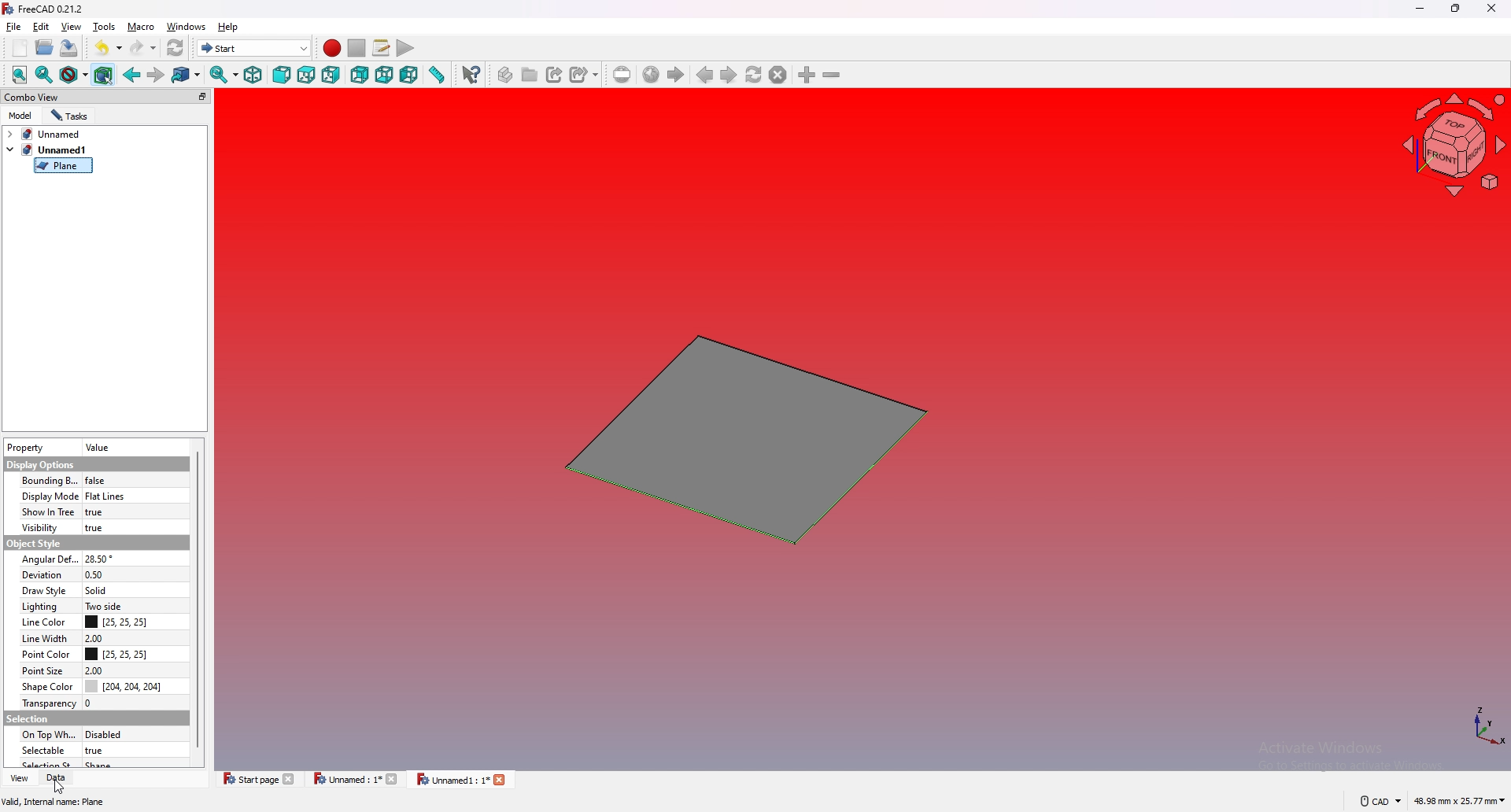  What do you see at coordinates (40, 527) in the screenshot?
I see `visibility` at bounding box center [40, 527].